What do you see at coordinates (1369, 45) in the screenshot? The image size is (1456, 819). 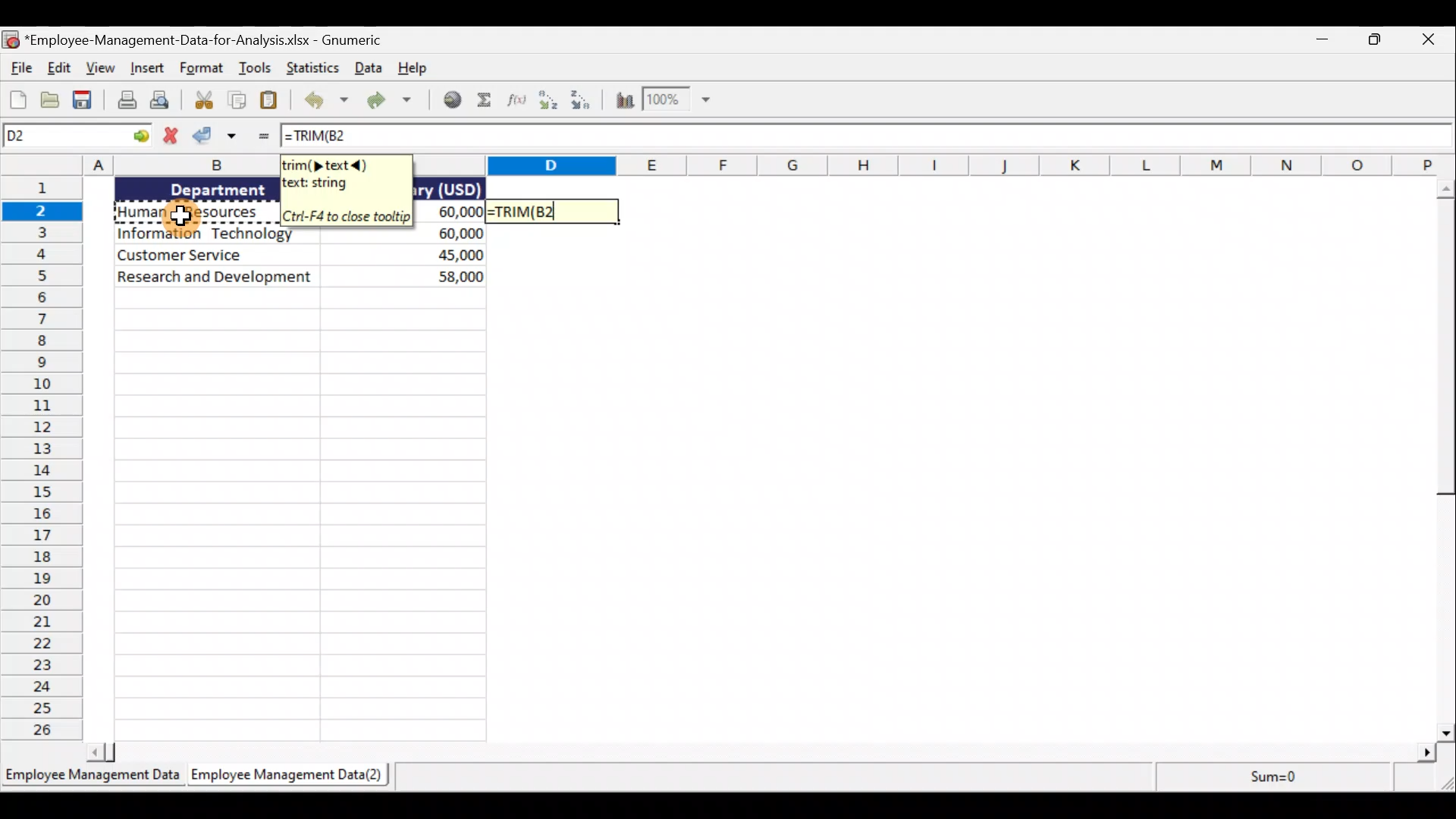 I see `Maximise` at bounding box center [1369, 45].